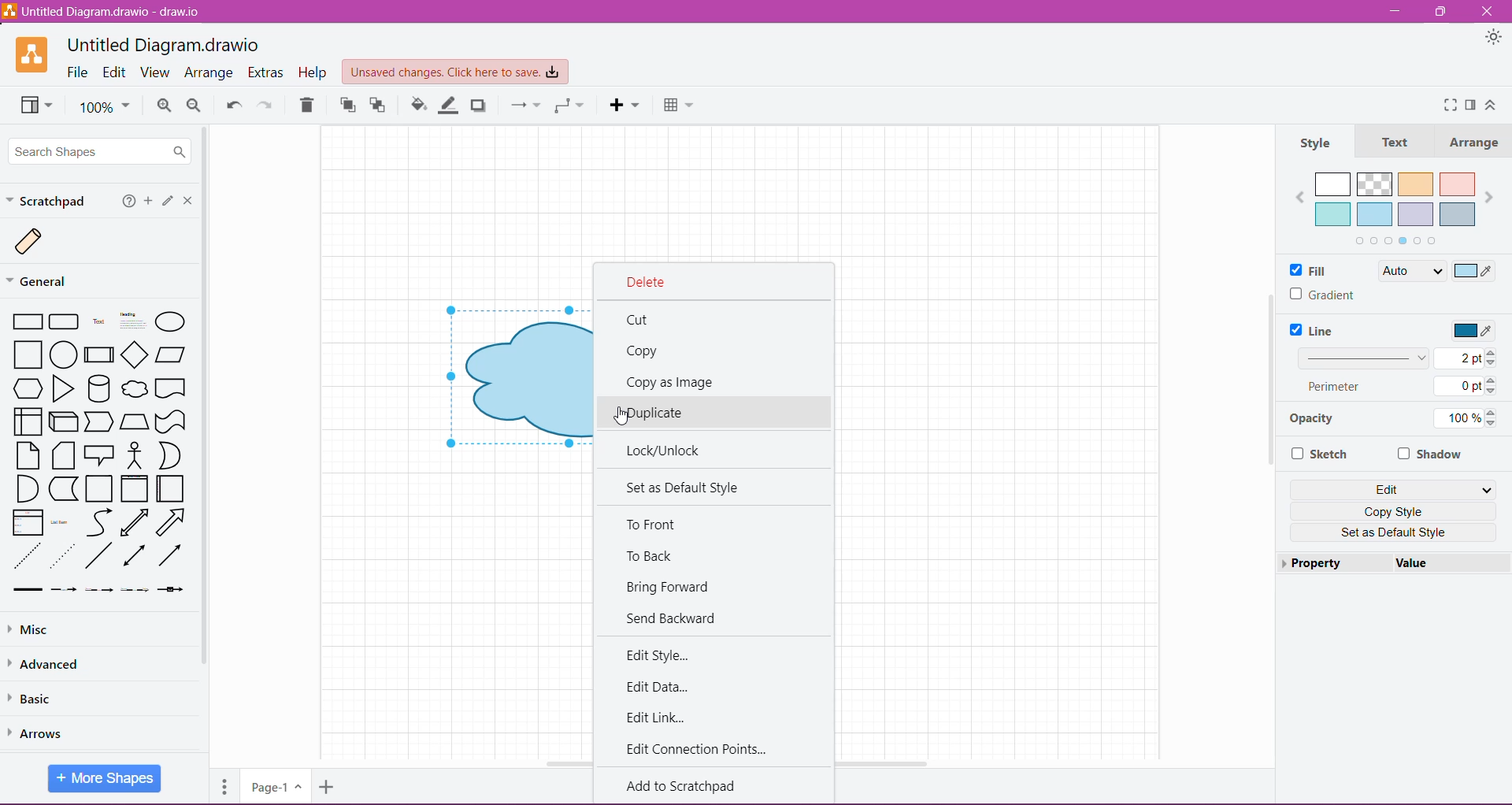 The image size is (1512, 805). I want to click on Style, so click(1317, 144).